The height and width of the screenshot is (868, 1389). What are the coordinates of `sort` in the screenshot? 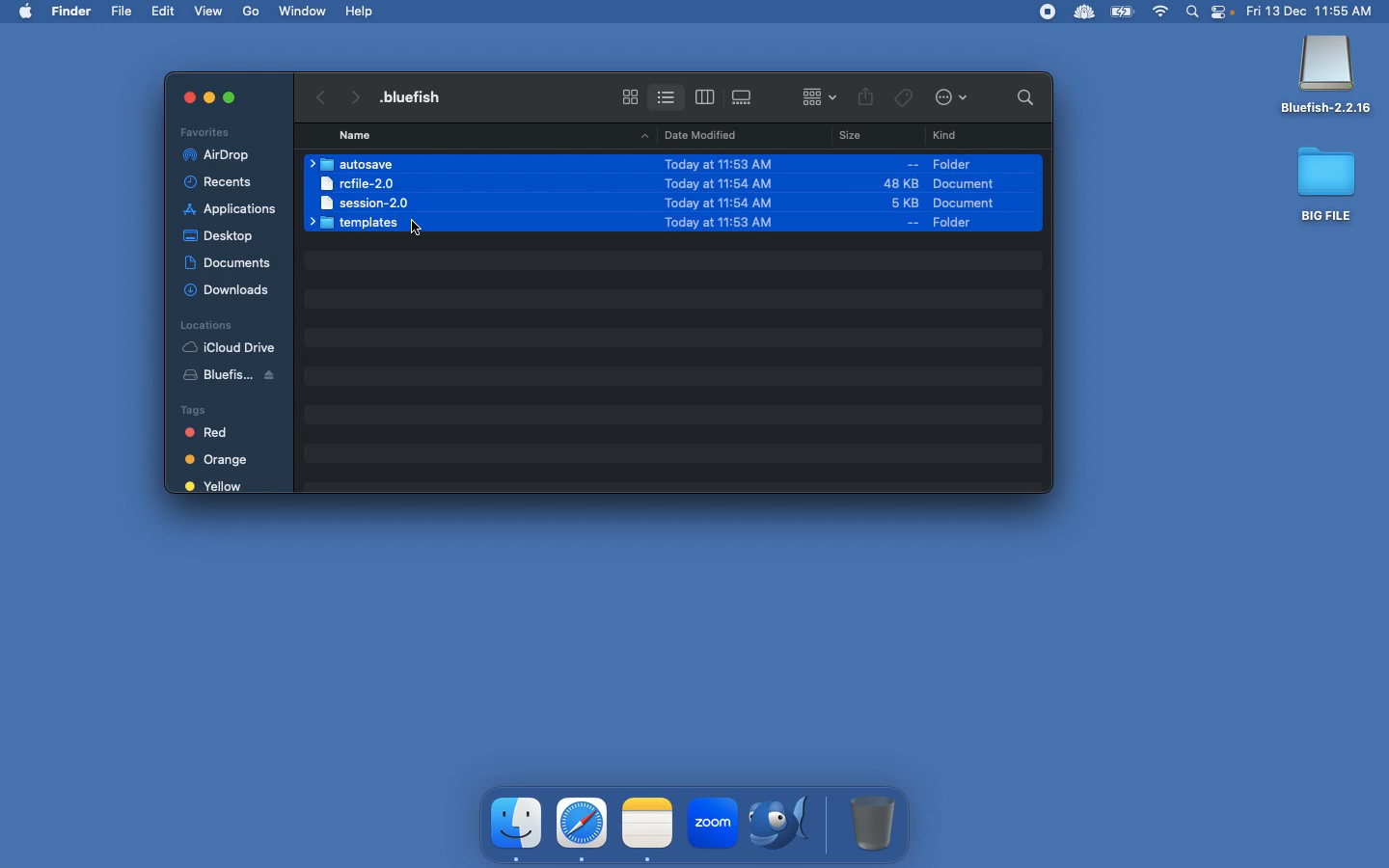 It's located at (819, 95).